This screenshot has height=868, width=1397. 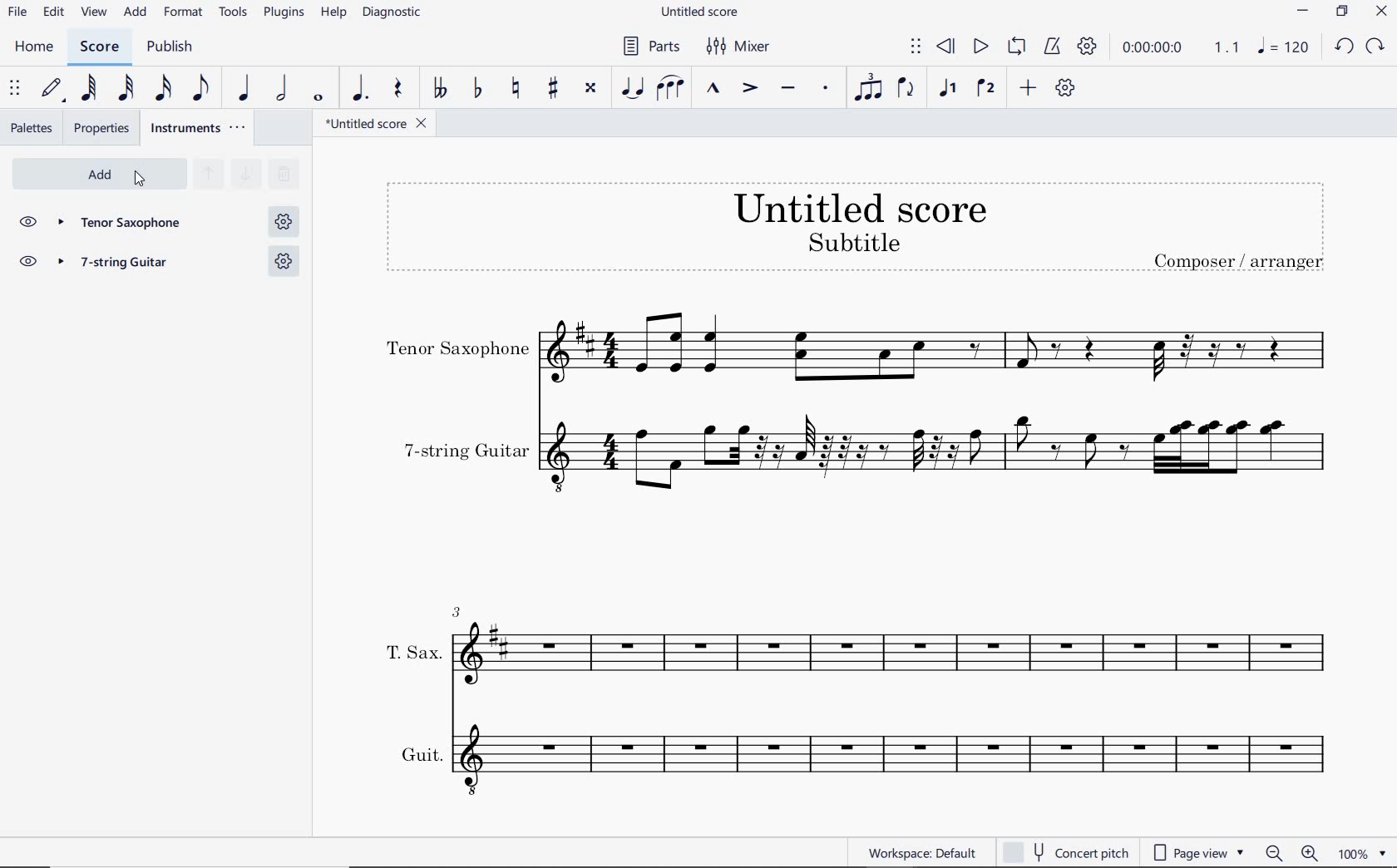 I want to click on TOOLS, so click(x=234, y=11).